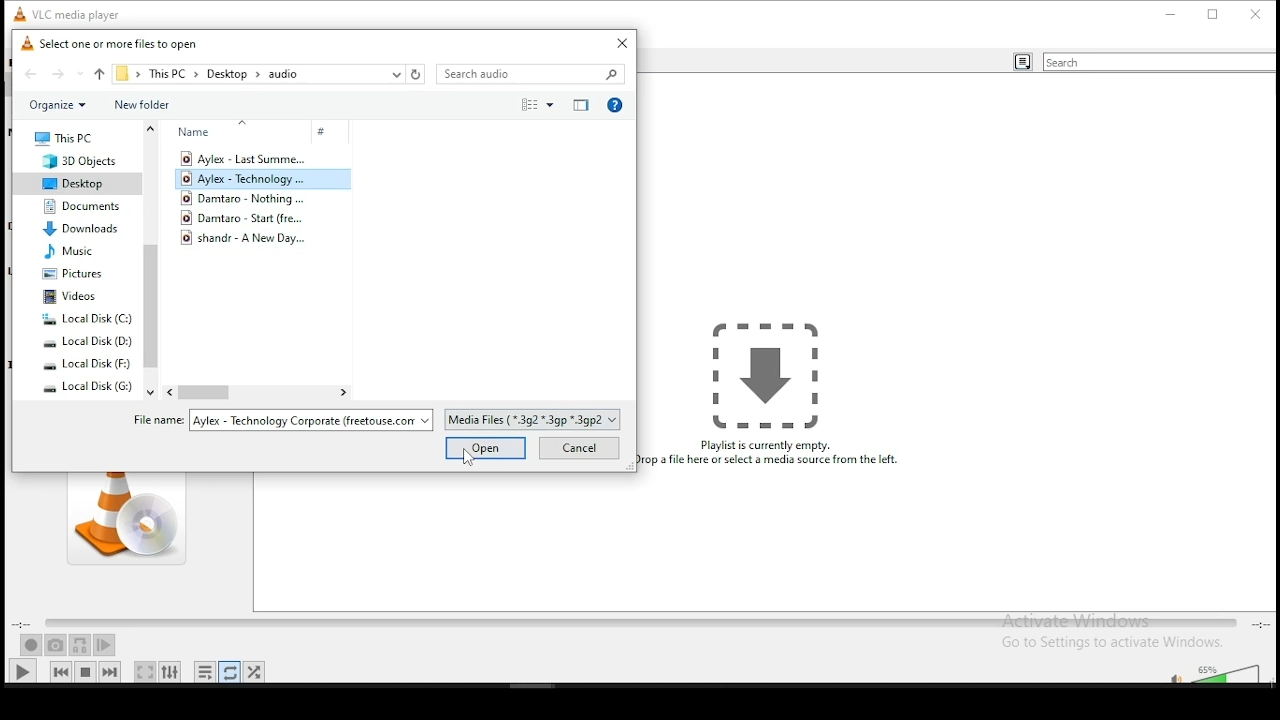  What do you see at coordinates (469, 459) in the screenshot?
I see `Cursor` at bounding box center [469, 459].